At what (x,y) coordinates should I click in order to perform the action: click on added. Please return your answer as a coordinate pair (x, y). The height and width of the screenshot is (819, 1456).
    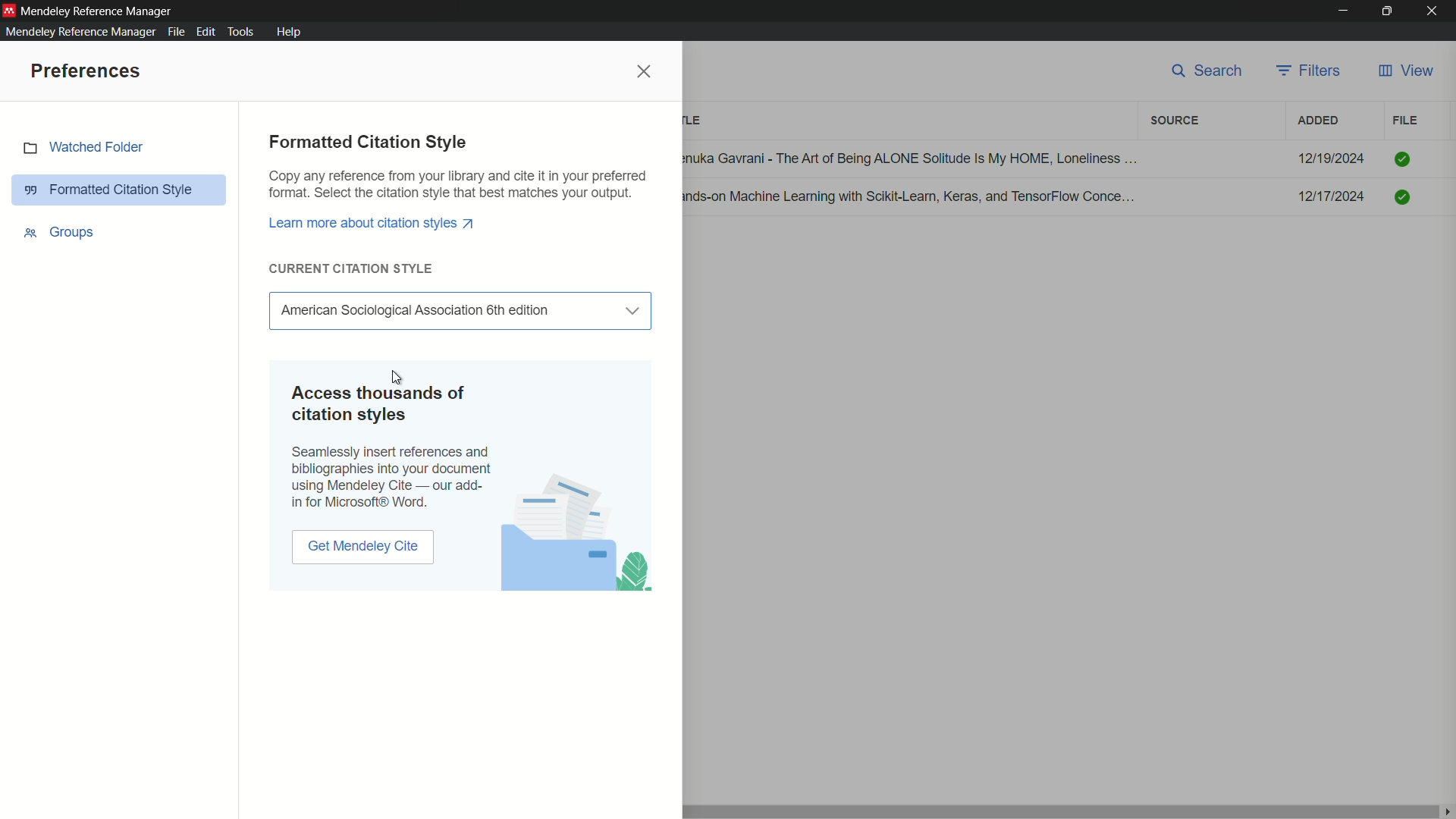
    Looking at the image, I should click on (1319, 121).